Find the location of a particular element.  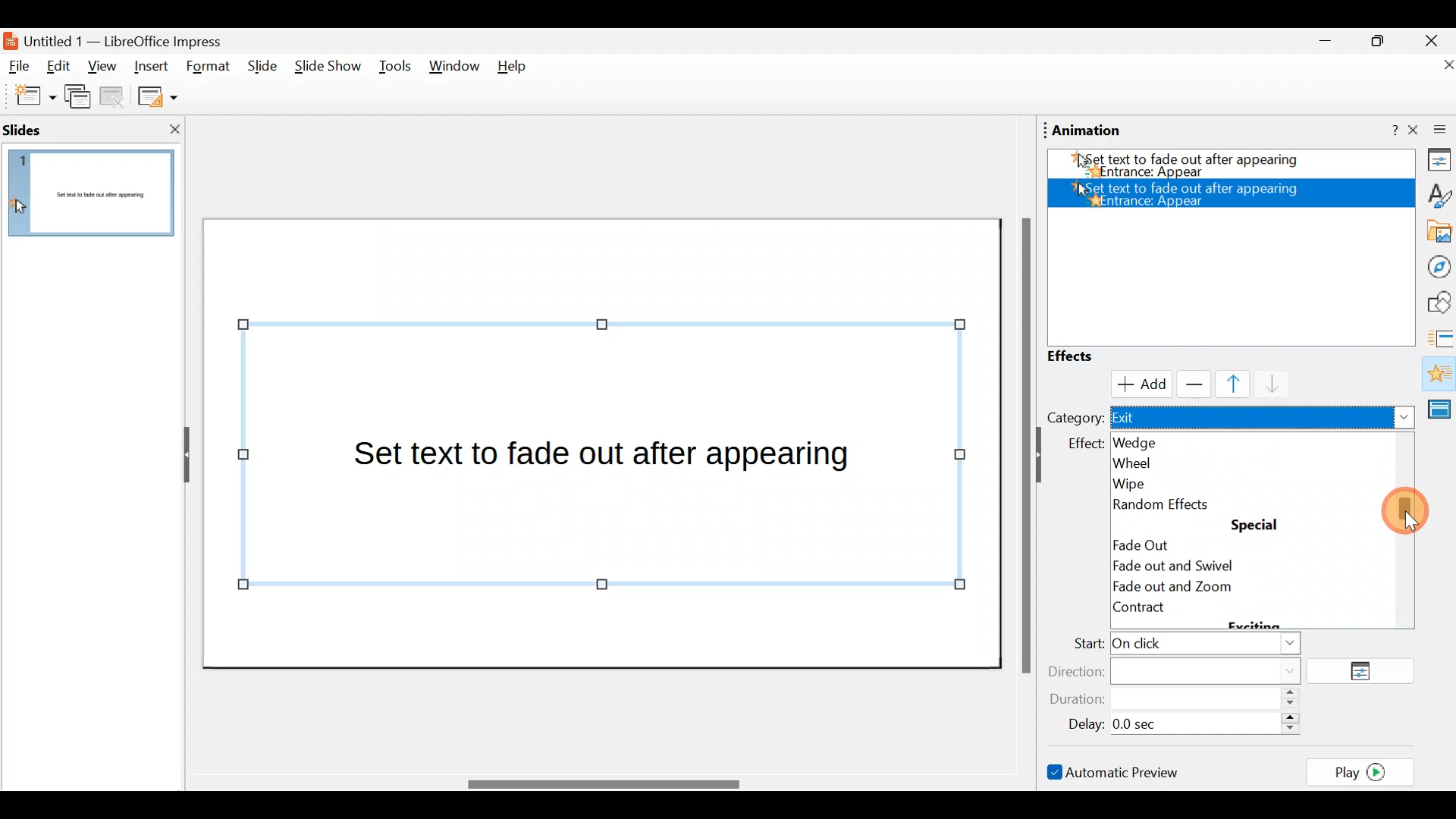

Tools is located at coordinates (395, 69).